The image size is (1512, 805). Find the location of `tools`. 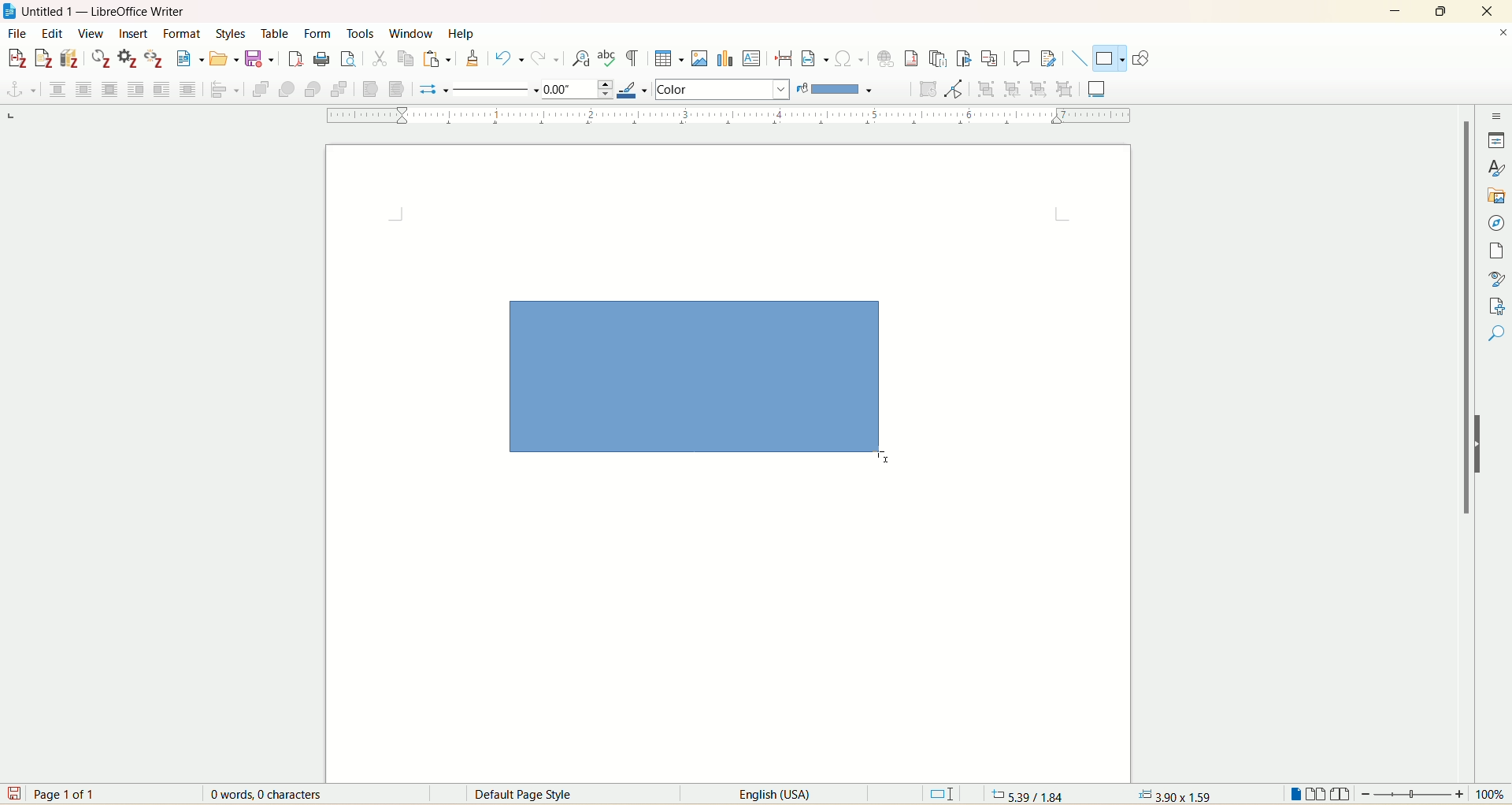

tools is located at coordinates (362, 32).